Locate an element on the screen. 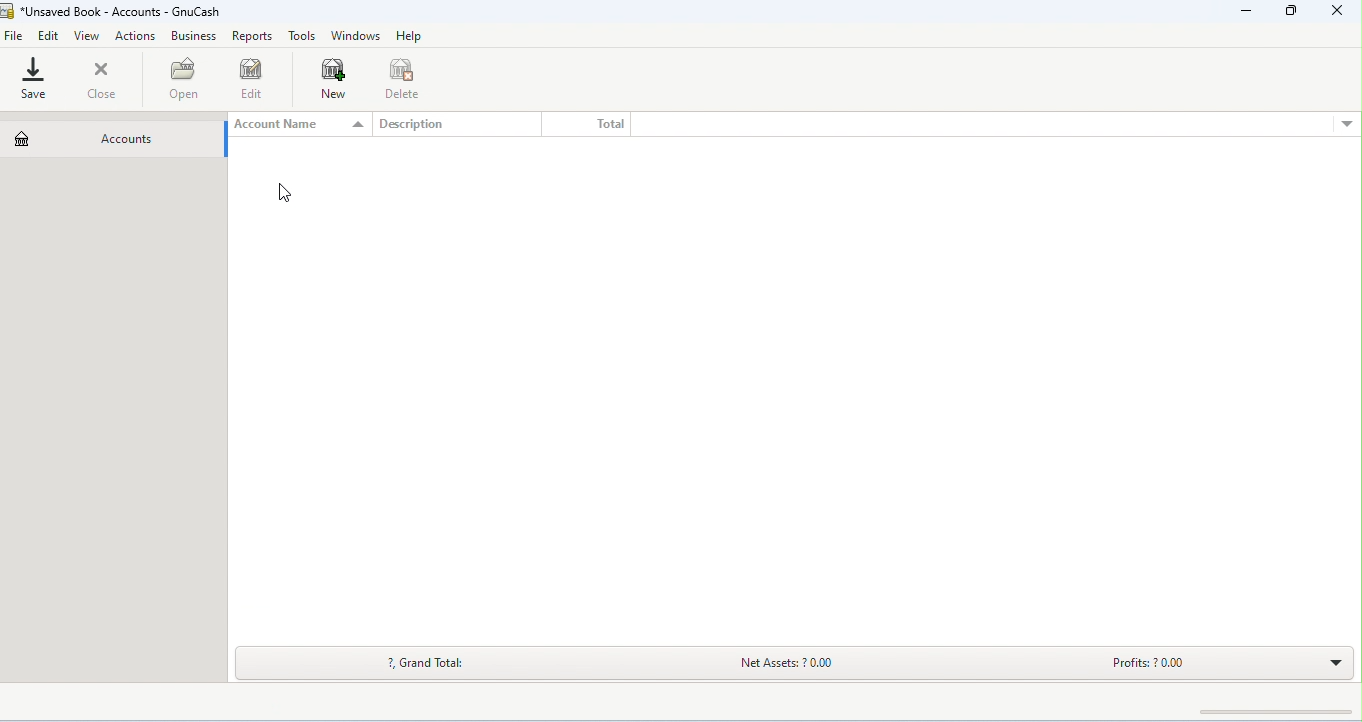 The width and height of the screenshot is (1362, 722). drop down is located at coordinates (1346, 126).